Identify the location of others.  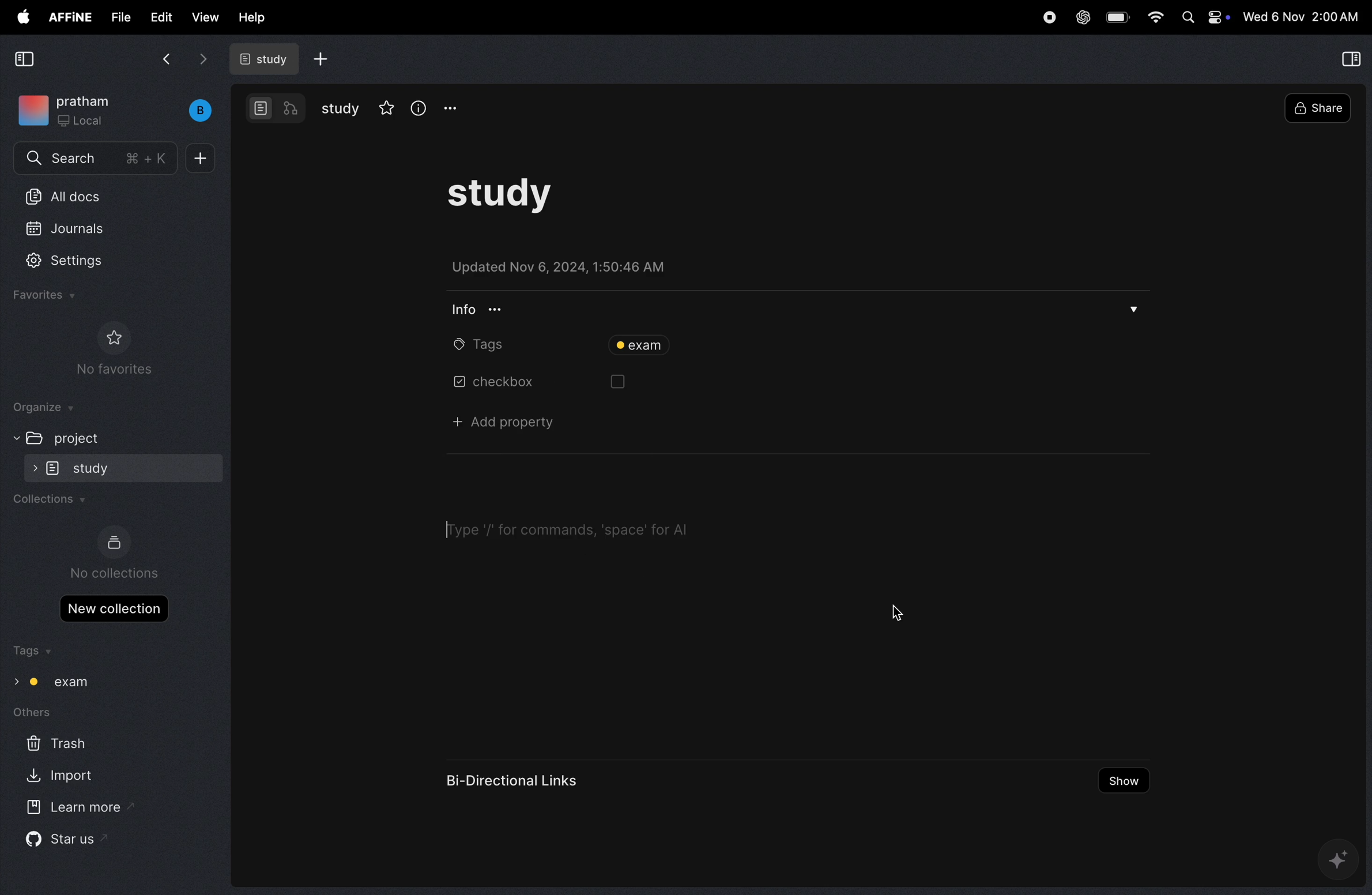
(33, 712).